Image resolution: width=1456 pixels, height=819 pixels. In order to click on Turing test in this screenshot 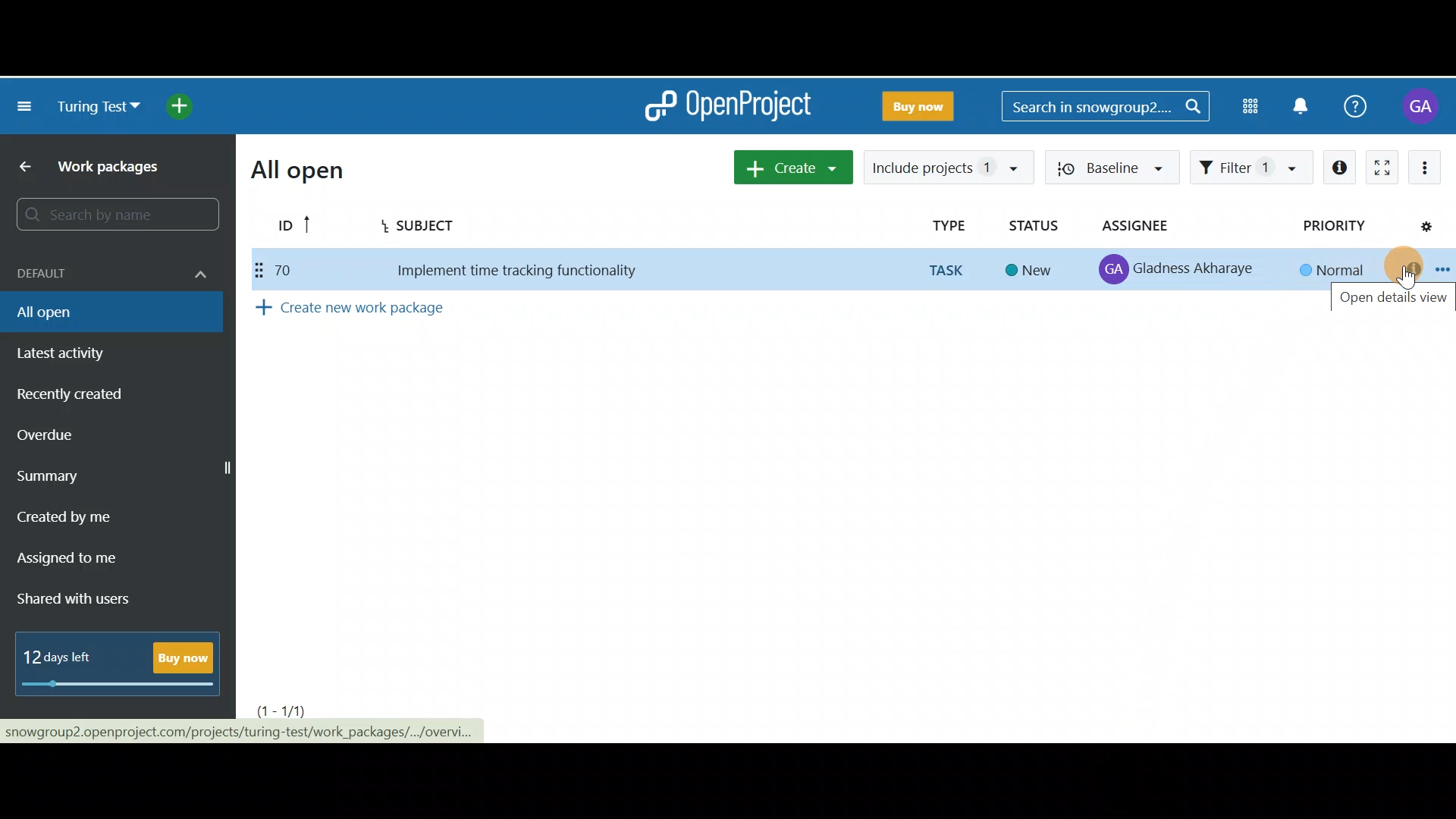, I will do `click(102, 107)`.